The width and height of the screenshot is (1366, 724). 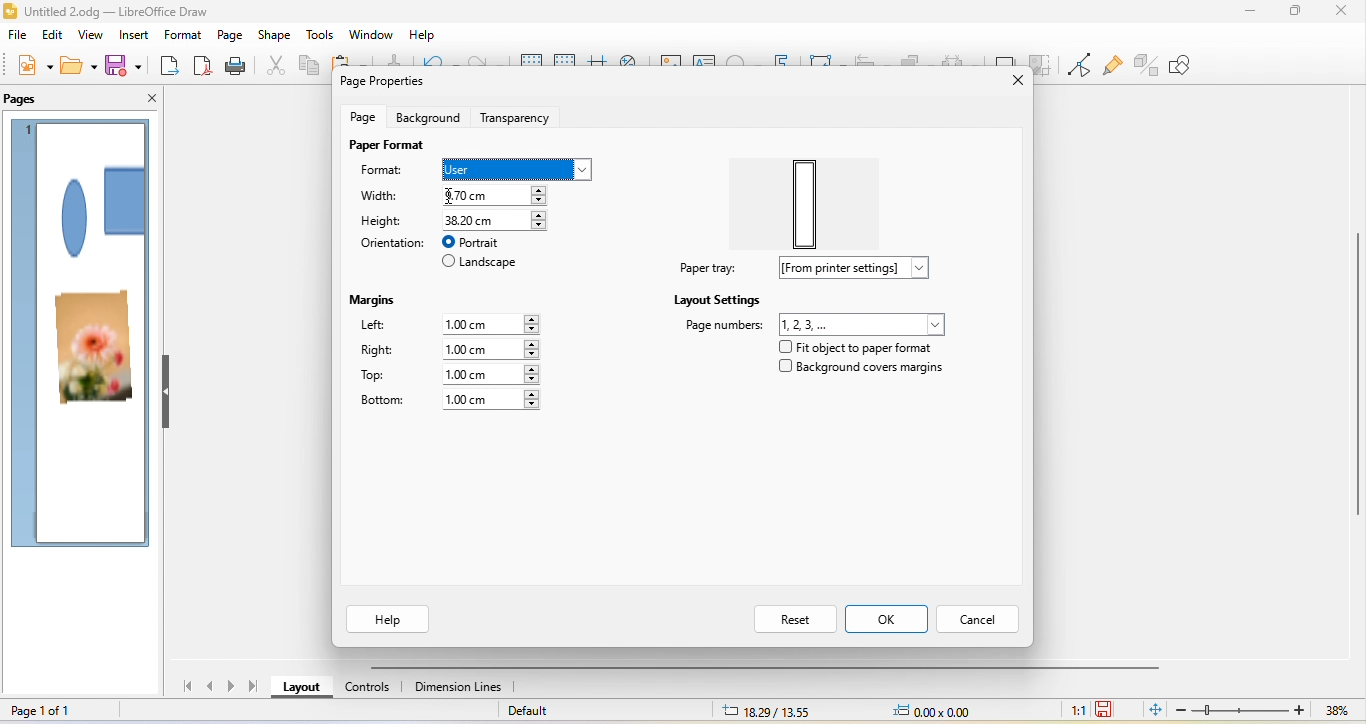 I want to click on snap to grid, so click(x=566, y=63).